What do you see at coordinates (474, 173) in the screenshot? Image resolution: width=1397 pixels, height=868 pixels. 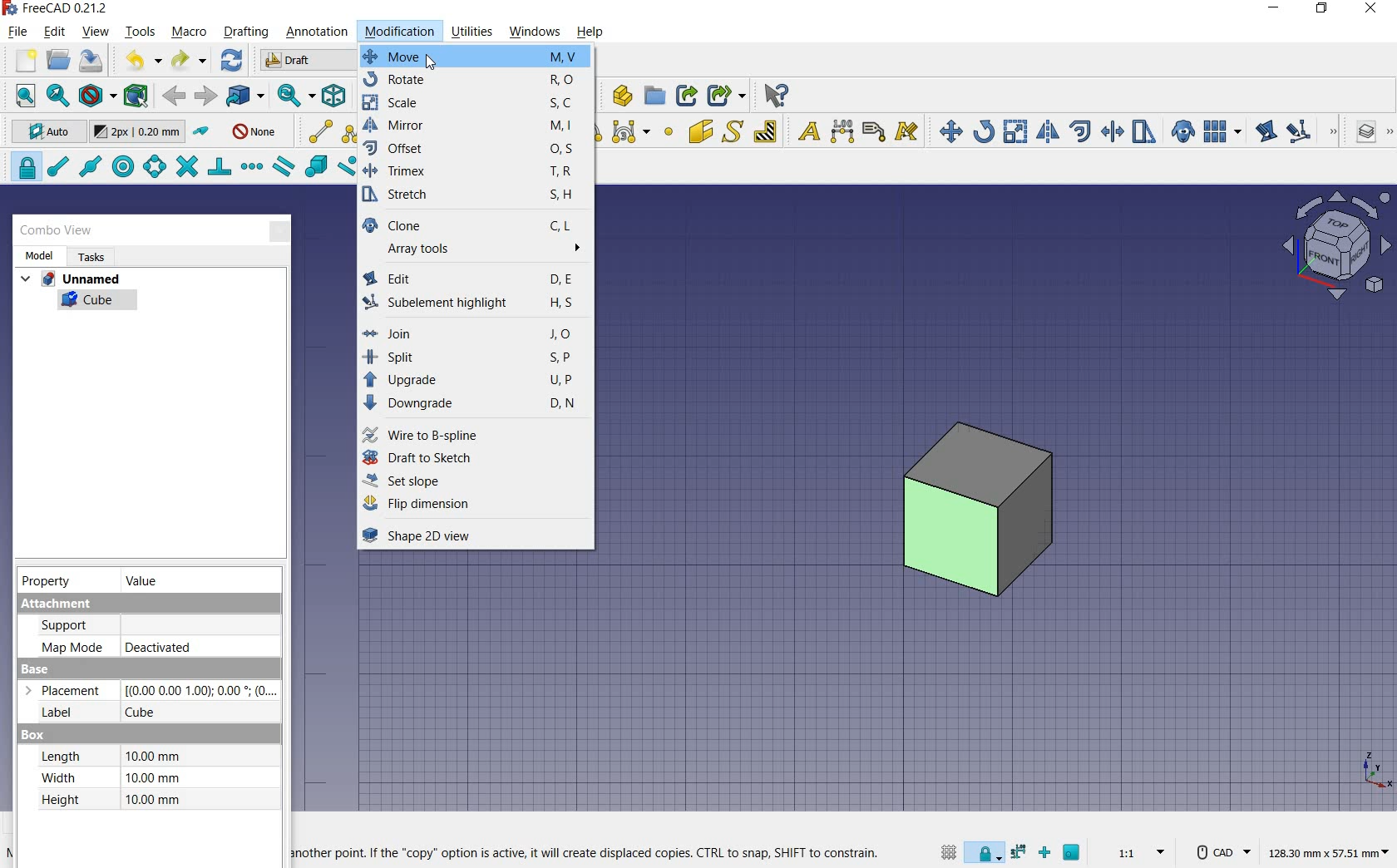 I see `trimex` at bounding box center [474, 173].